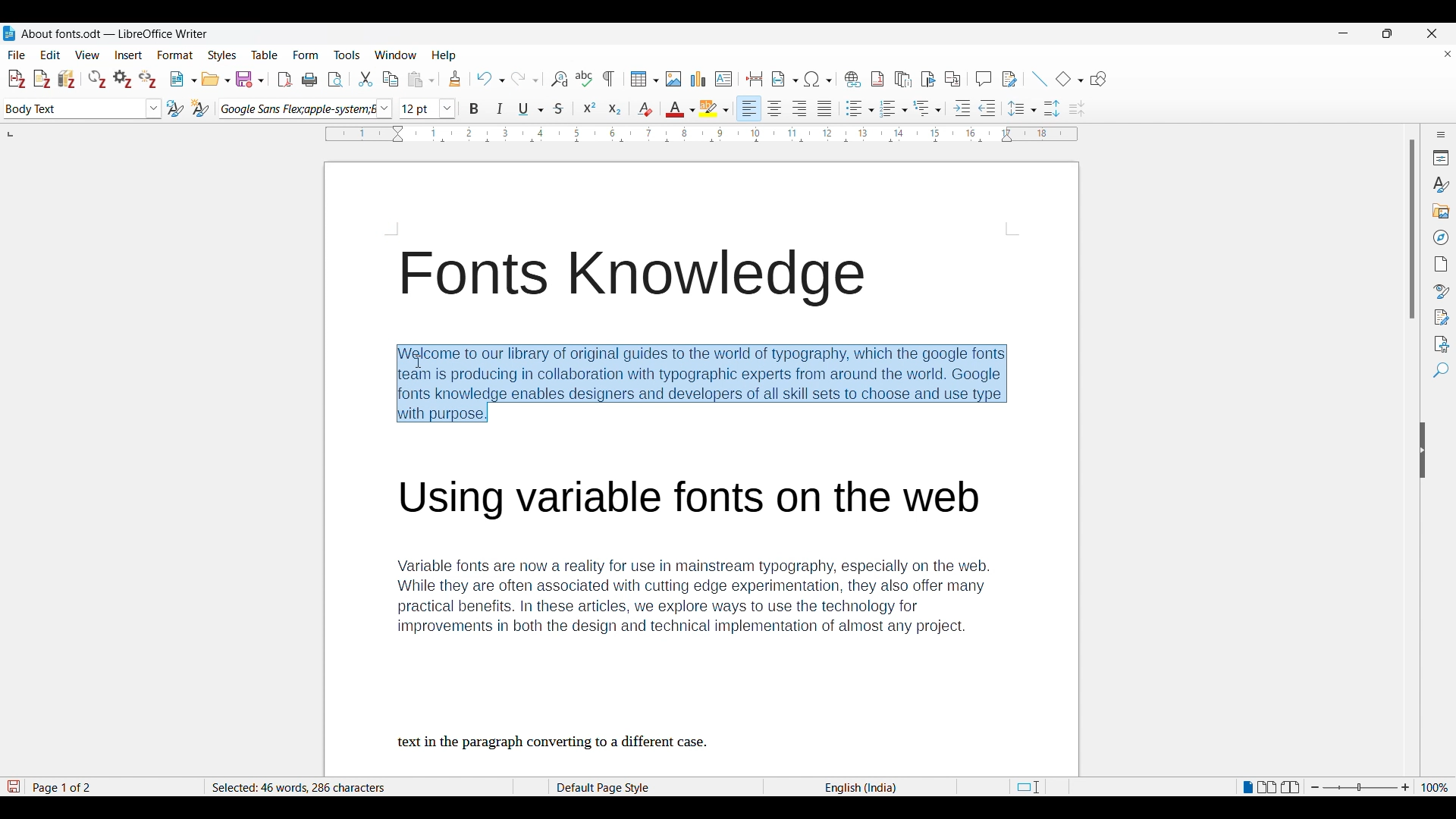 This screenshot has width=1456, height=819. What do you see at coordinates (222, 55) in the screenshot?
I see `Styles menu` at bounding box center [222, 55].